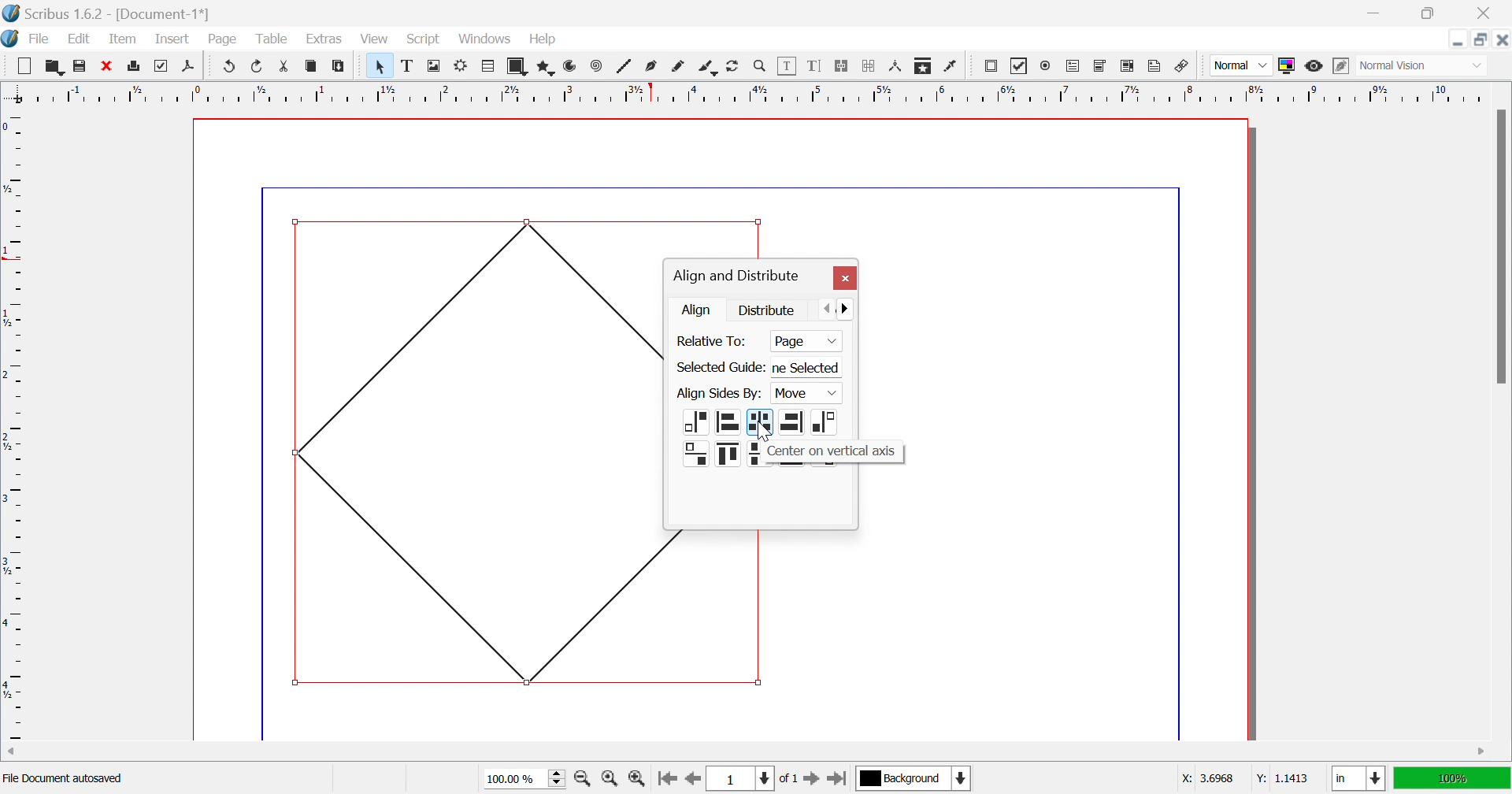 The width and height of the screenshot is (1512, 794). What do you see at coordinates (584, 781) in the screenshot?
I see `Zoom out by the stepping value in Tools preferences` at bounding box center [584, 781].